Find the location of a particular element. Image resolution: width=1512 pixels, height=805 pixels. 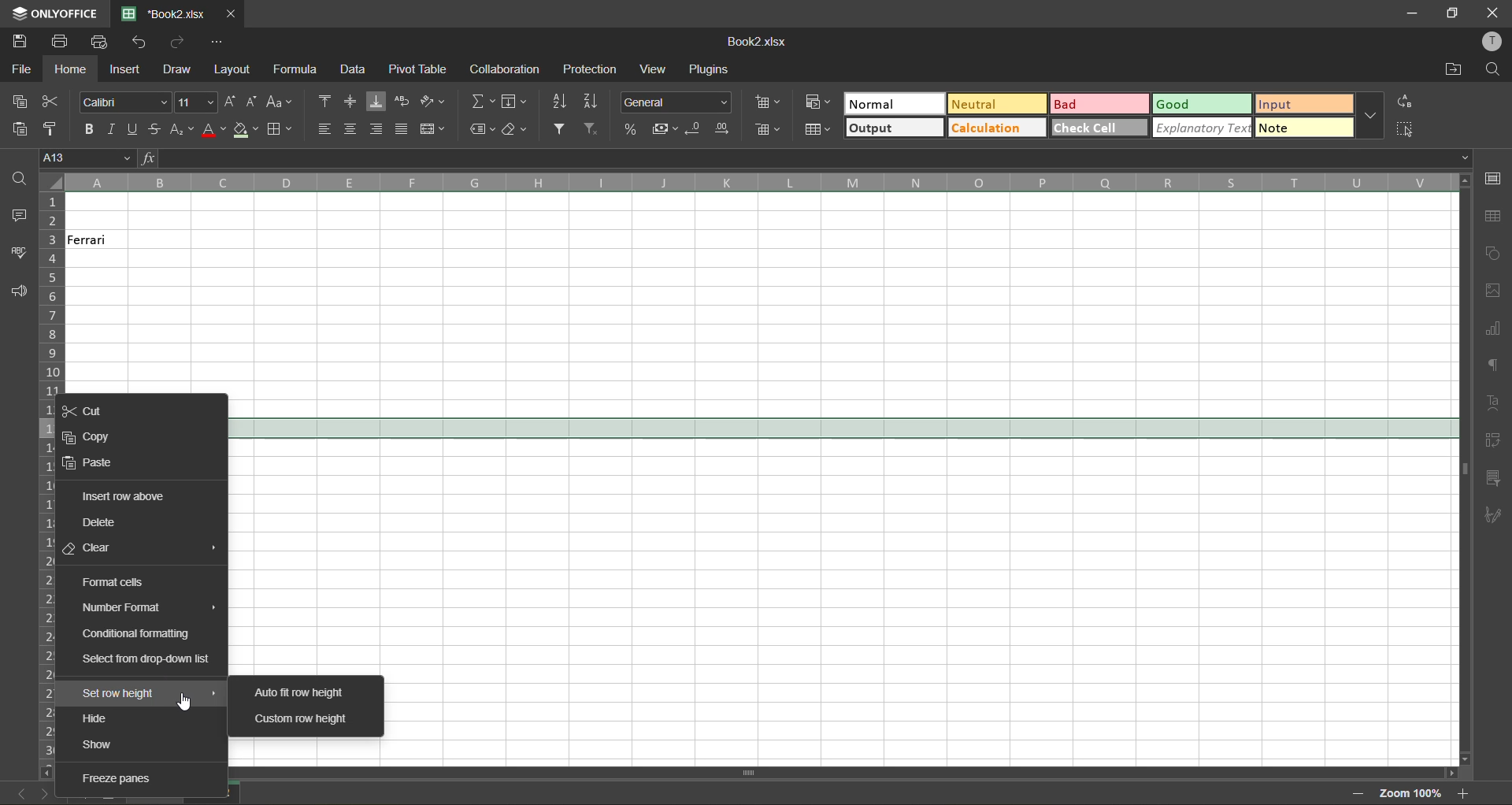

zoom out is located at coordinates (1352, 792).